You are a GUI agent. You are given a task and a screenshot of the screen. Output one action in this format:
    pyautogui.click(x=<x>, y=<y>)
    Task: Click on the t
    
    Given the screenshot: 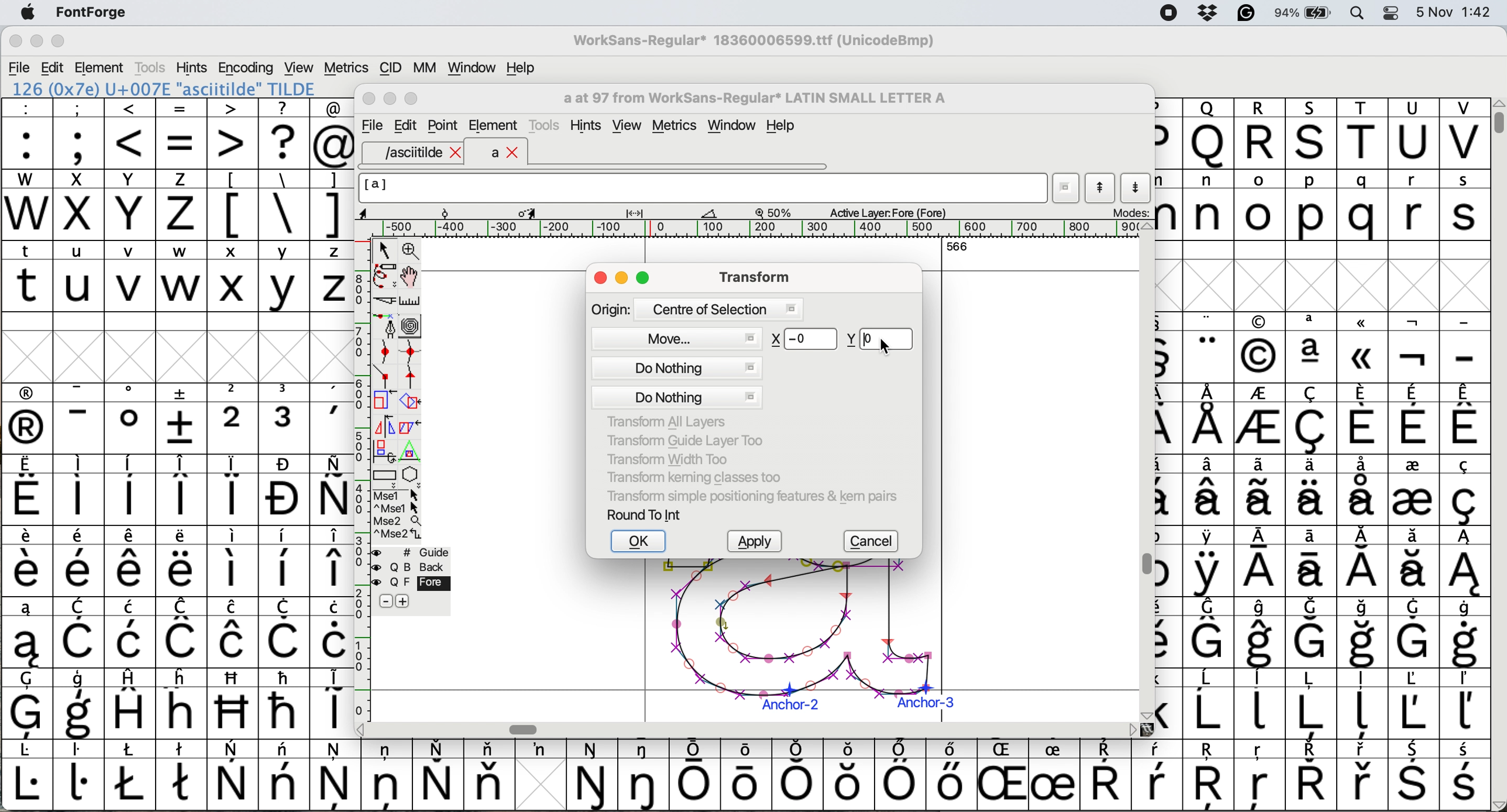 What is the action you would take?
    pyautogui.click(x=27, y=275)
    